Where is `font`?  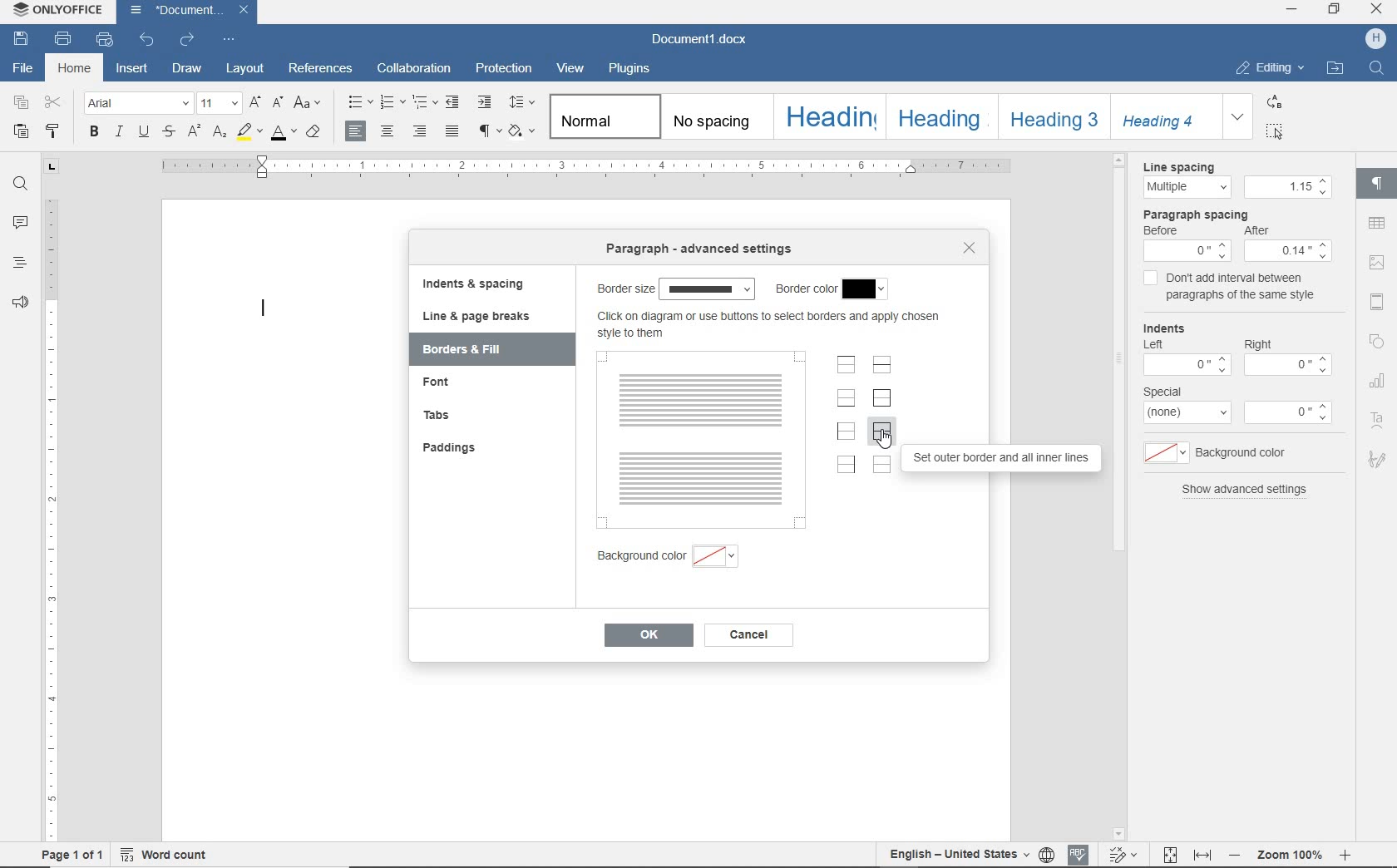
font is located at coordinates (449, 384).